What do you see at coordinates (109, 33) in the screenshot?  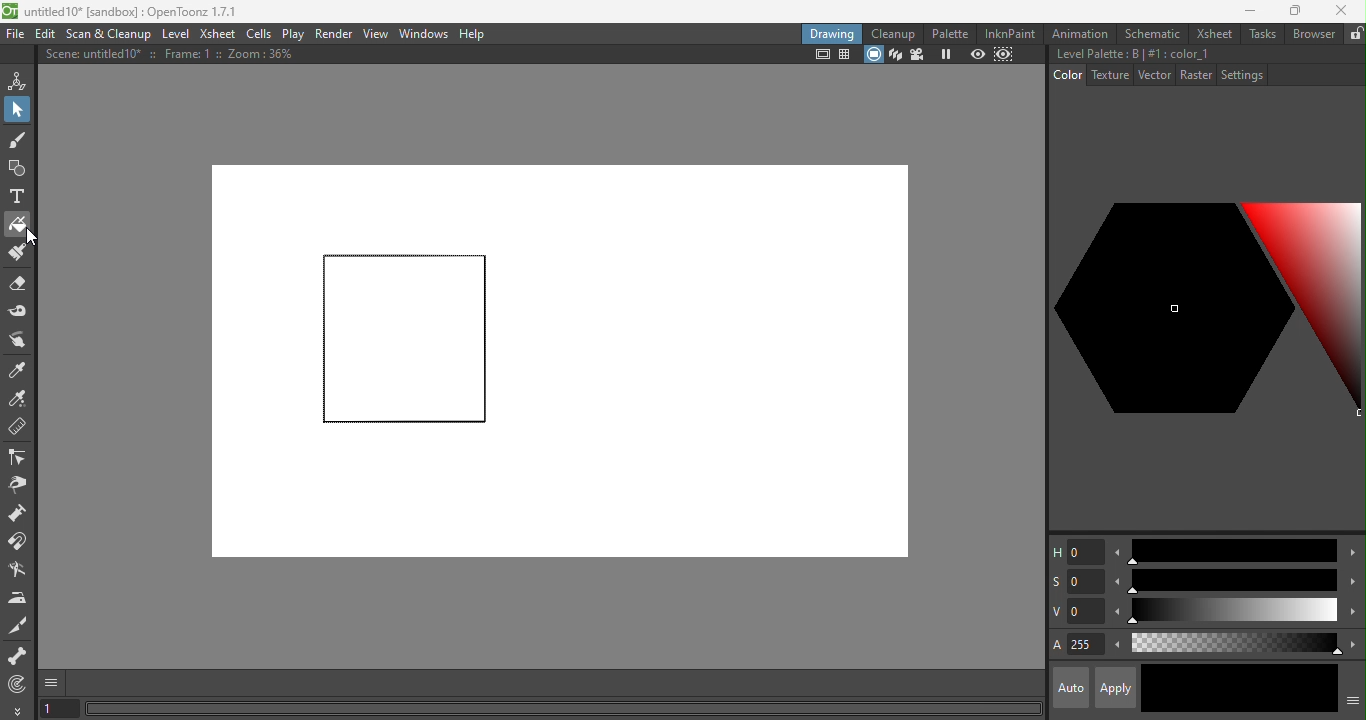 I see `Scan & Cleanup` at bounding box center [109, 33].